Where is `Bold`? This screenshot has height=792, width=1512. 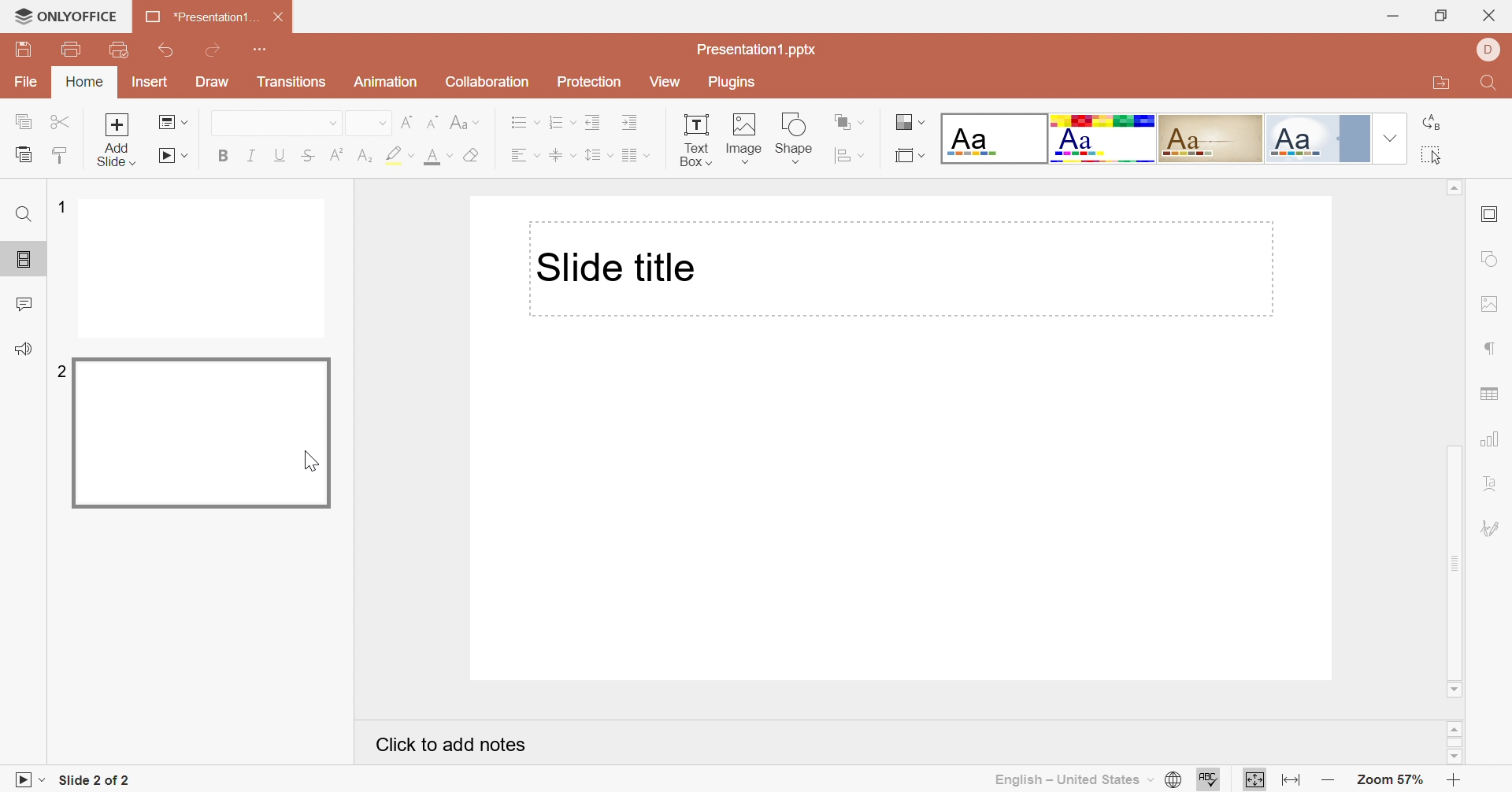
Bold is located at coordinates (225, 153).